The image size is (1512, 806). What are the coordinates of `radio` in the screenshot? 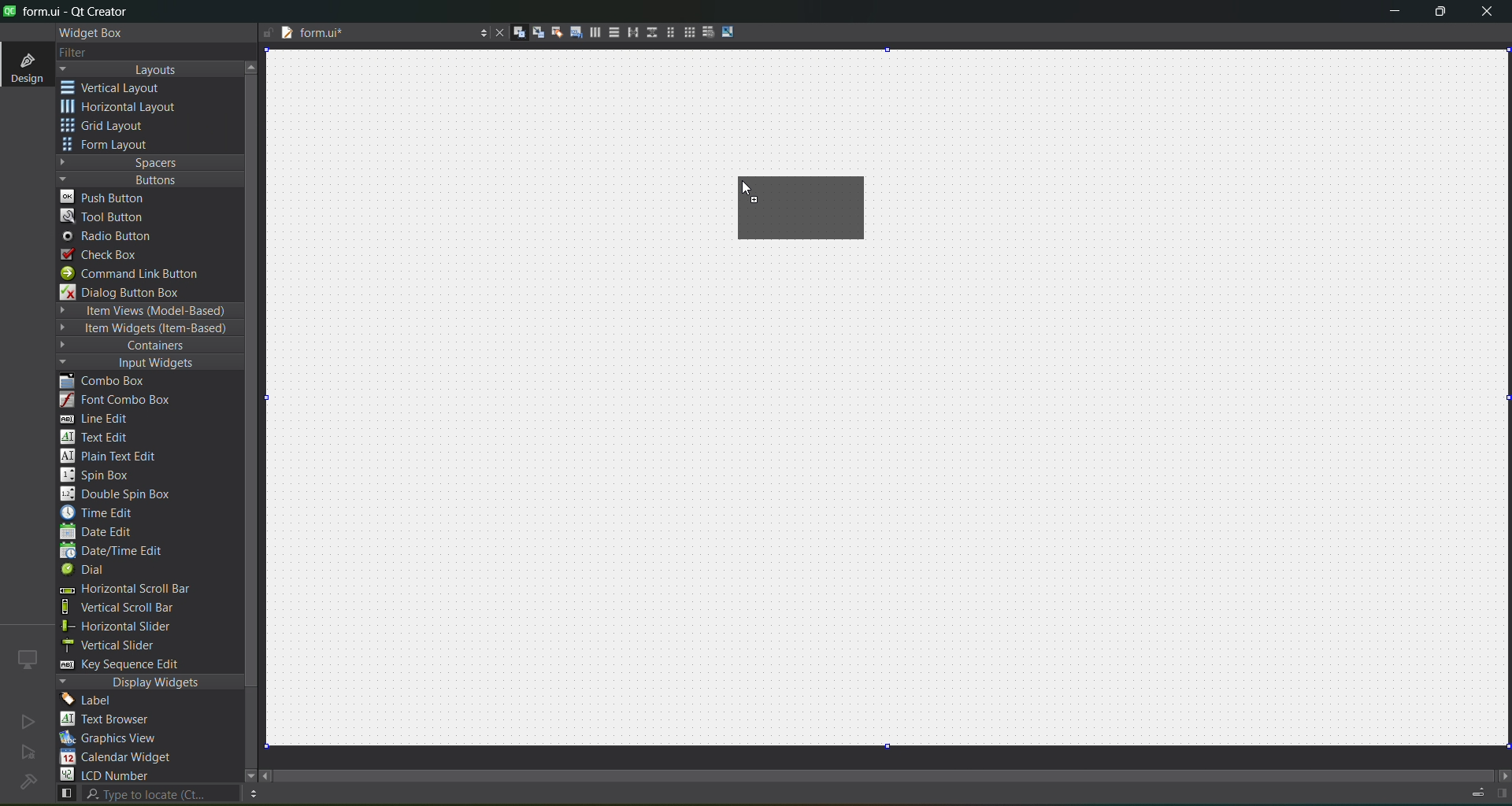 It's located at (112, 237).